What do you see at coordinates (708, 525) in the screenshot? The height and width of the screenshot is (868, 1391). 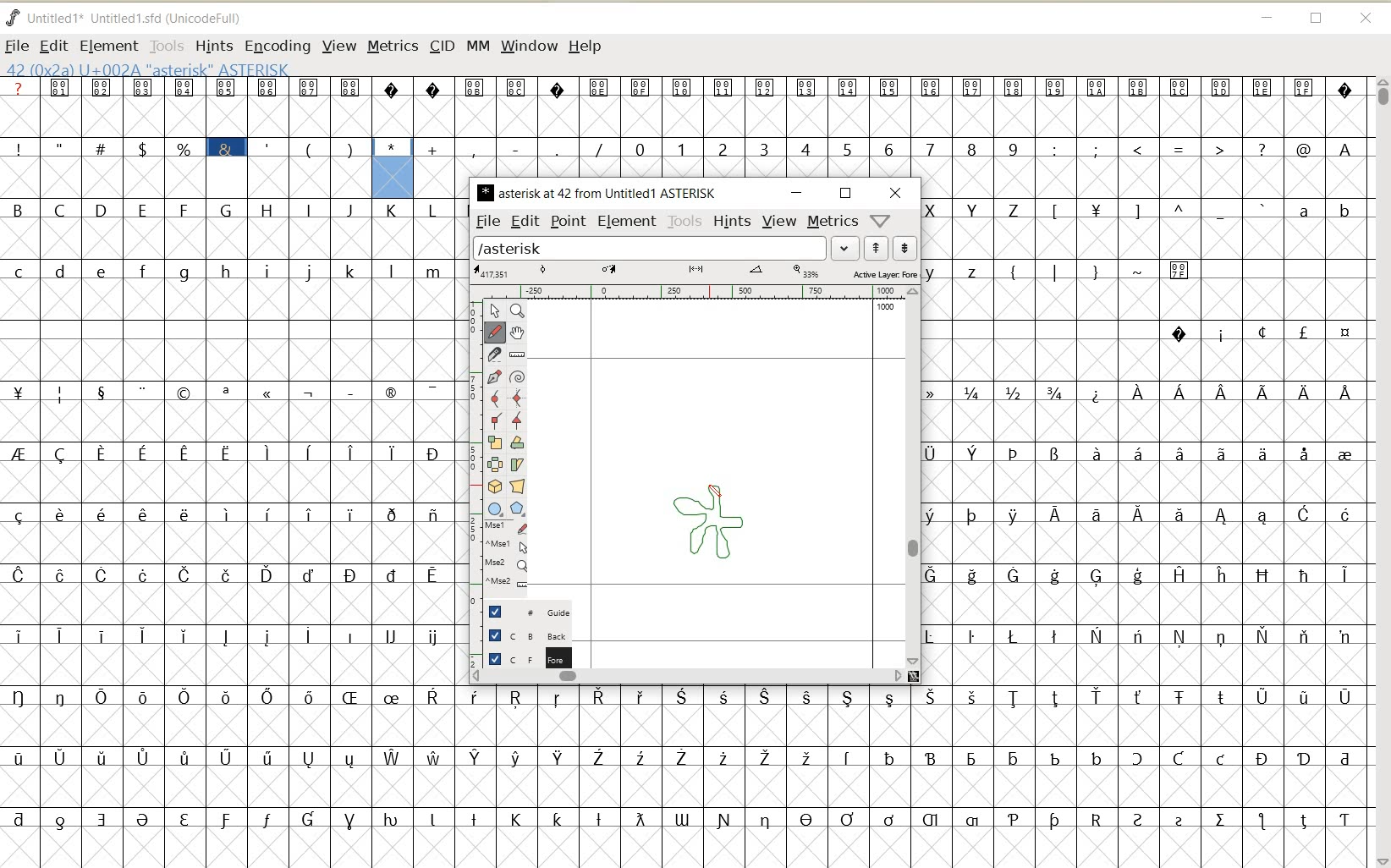 I see ` unique glyph for an asterisk creation` at bounding box center [708, 525].